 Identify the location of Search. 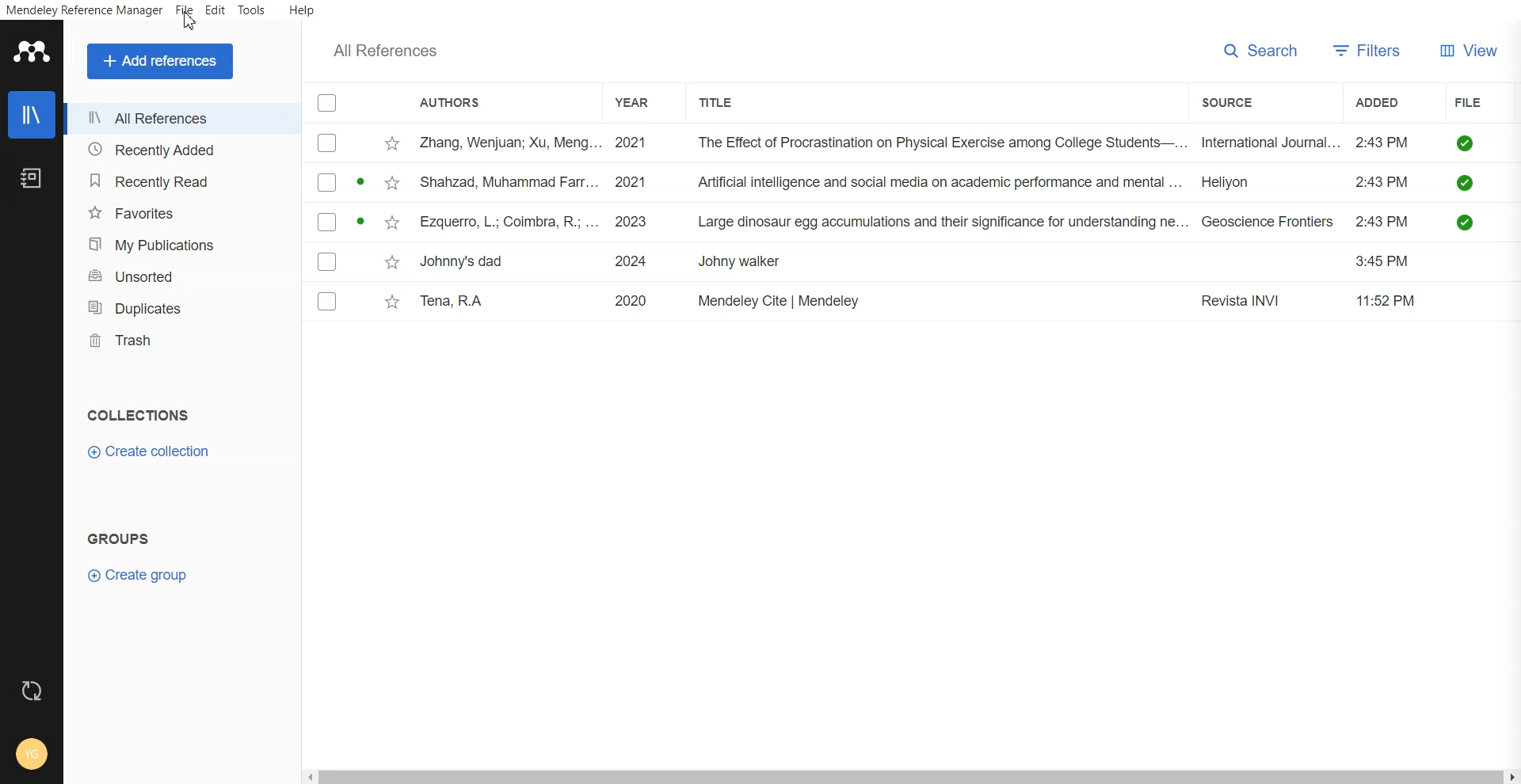
(1261, 51).